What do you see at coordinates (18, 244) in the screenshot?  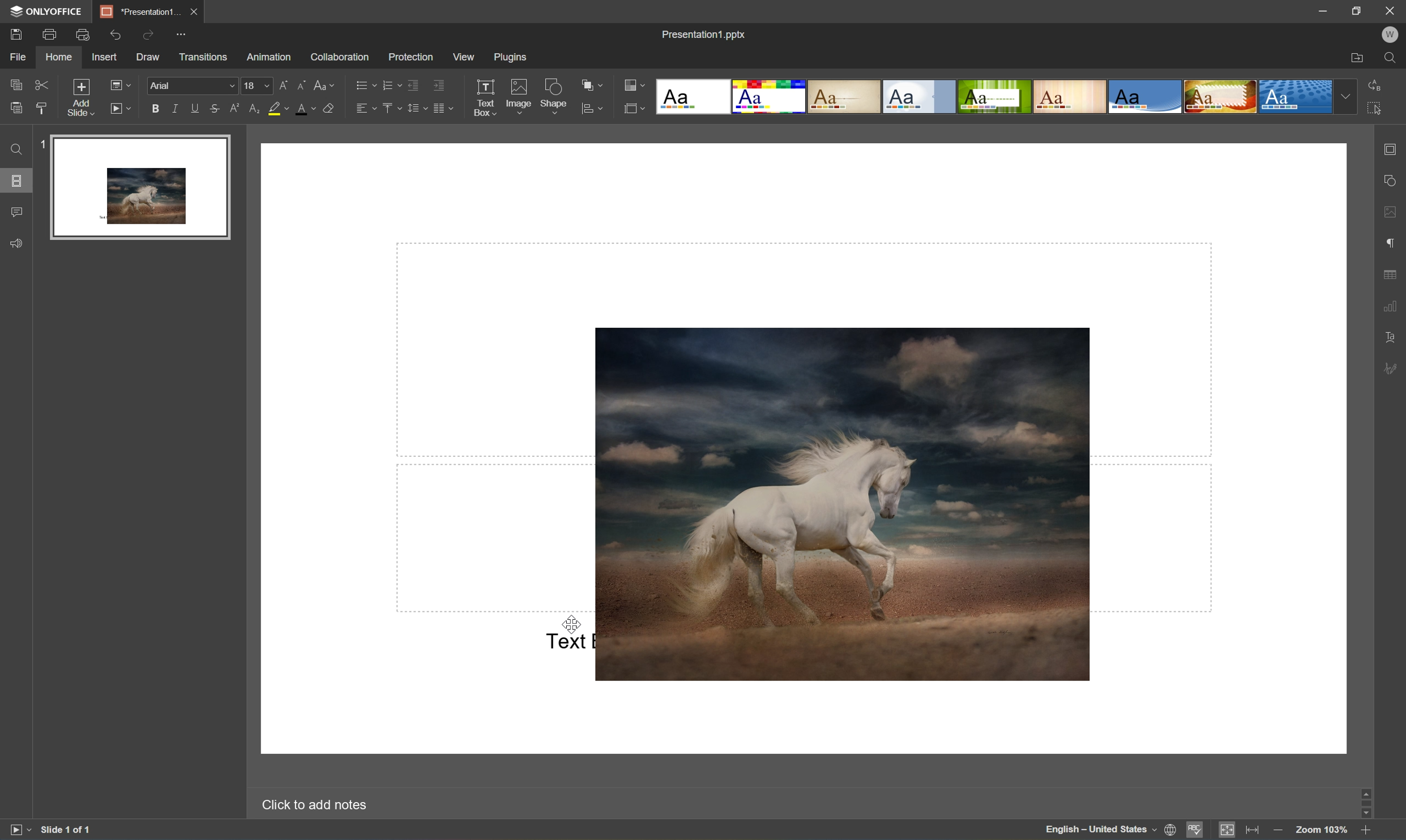 I see `Feedback & Support` at bounding box center [18, 244].